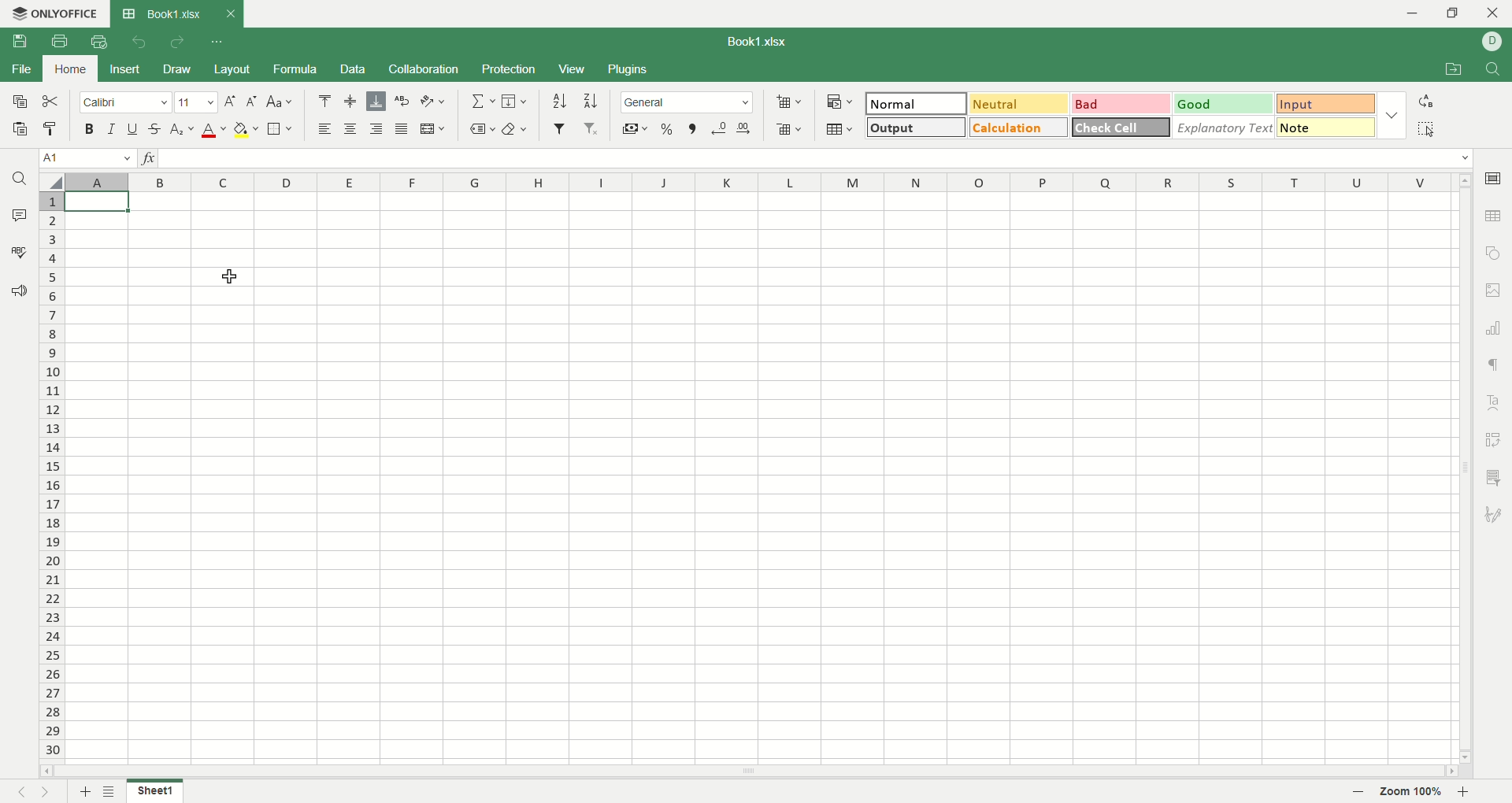  What do you see at coordinates (176, 43) in the screenshot?
I see `redo` at bounding box center [176, 43].